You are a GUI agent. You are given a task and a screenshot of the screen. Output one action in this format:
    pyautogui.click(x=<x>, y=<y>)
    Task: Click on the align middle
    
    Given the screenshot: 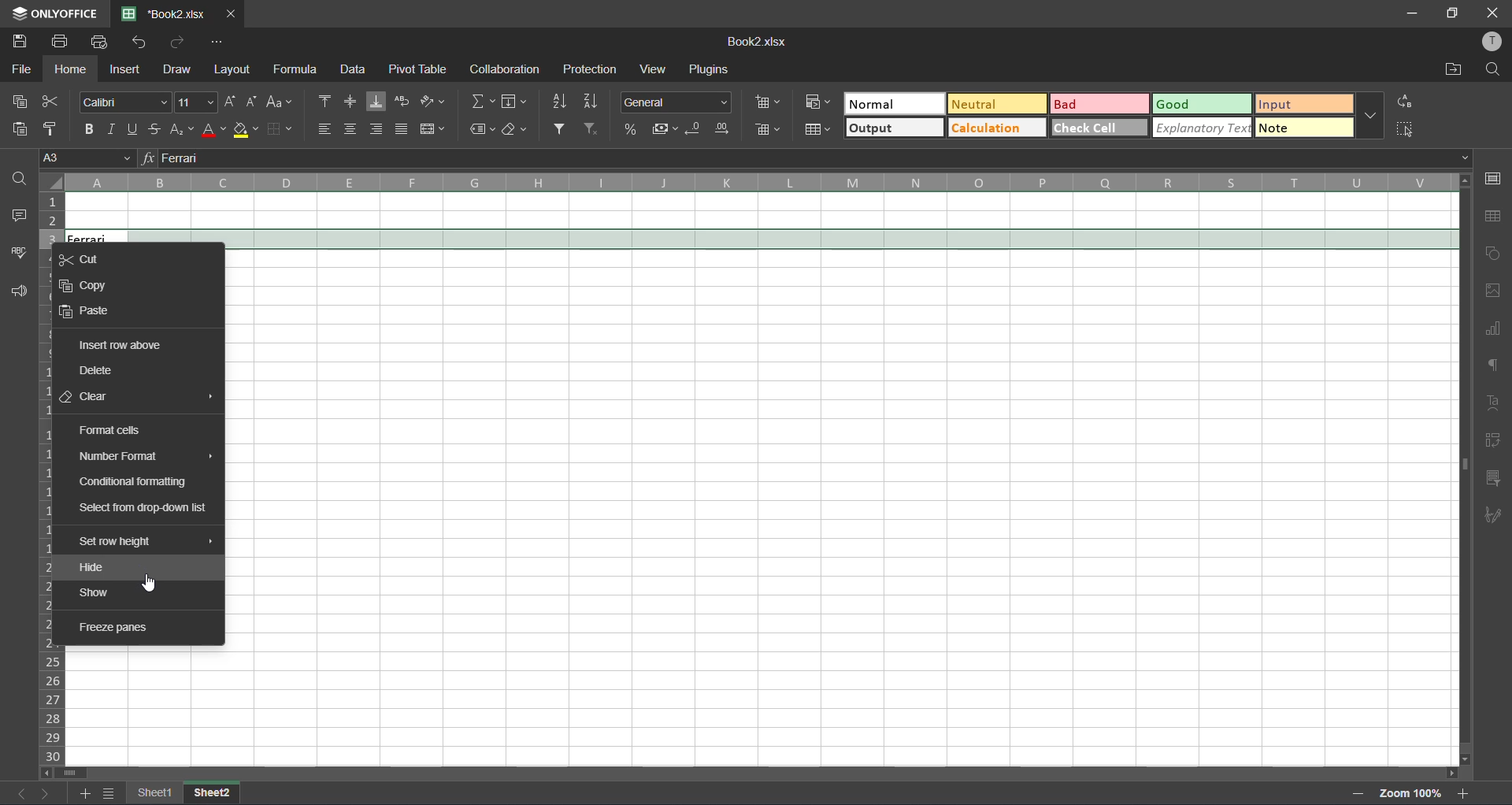 What is the action you would take?
    pyautogui.click(x=348, y=102)
    